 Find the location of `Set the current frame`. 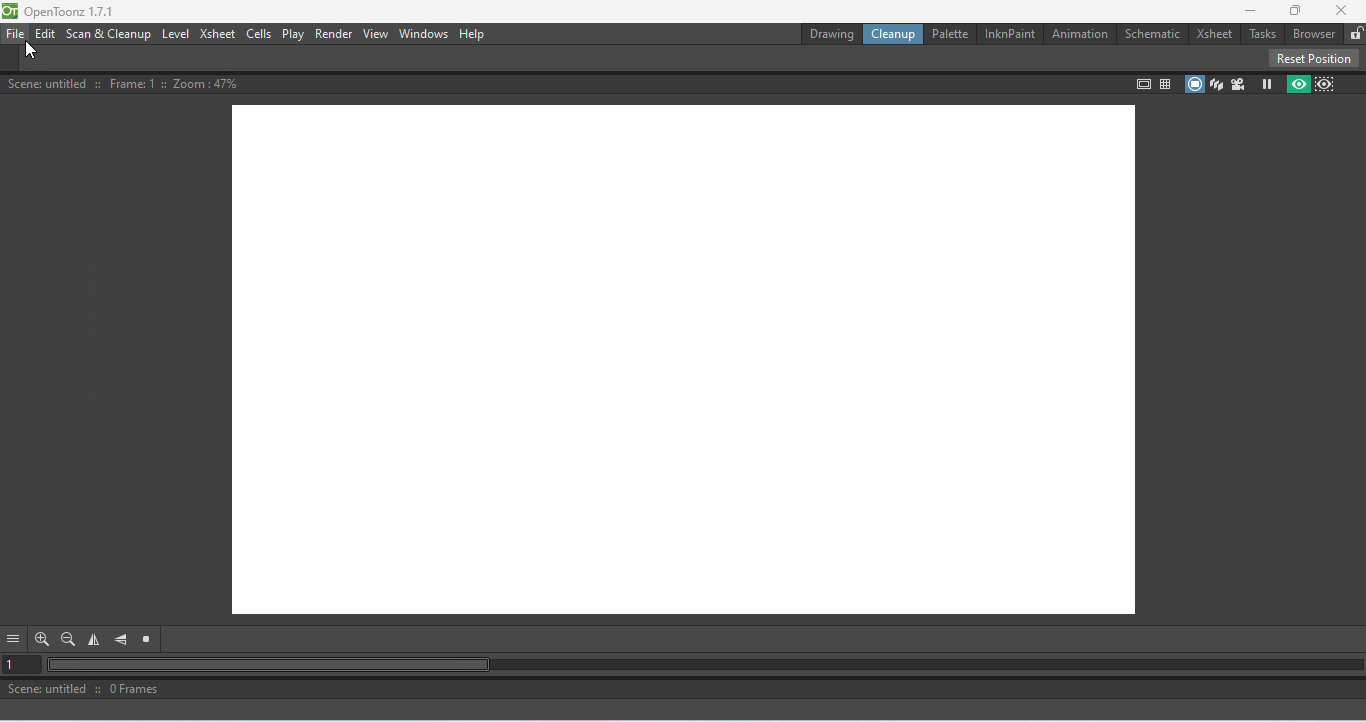

Set the current frame is located at coordinates (22, 666).